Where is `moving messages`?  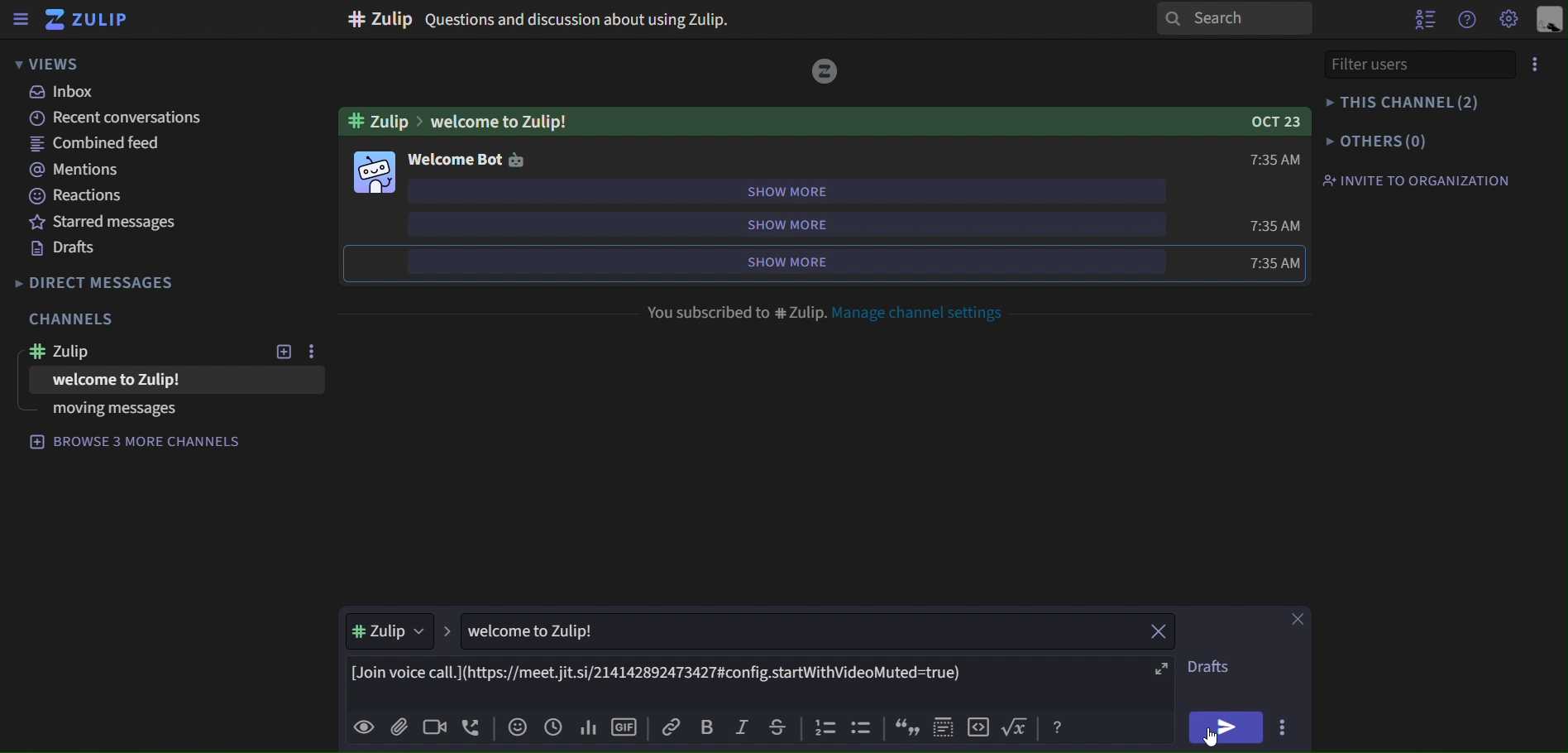
moving messages is located at coordinates (112, 410).